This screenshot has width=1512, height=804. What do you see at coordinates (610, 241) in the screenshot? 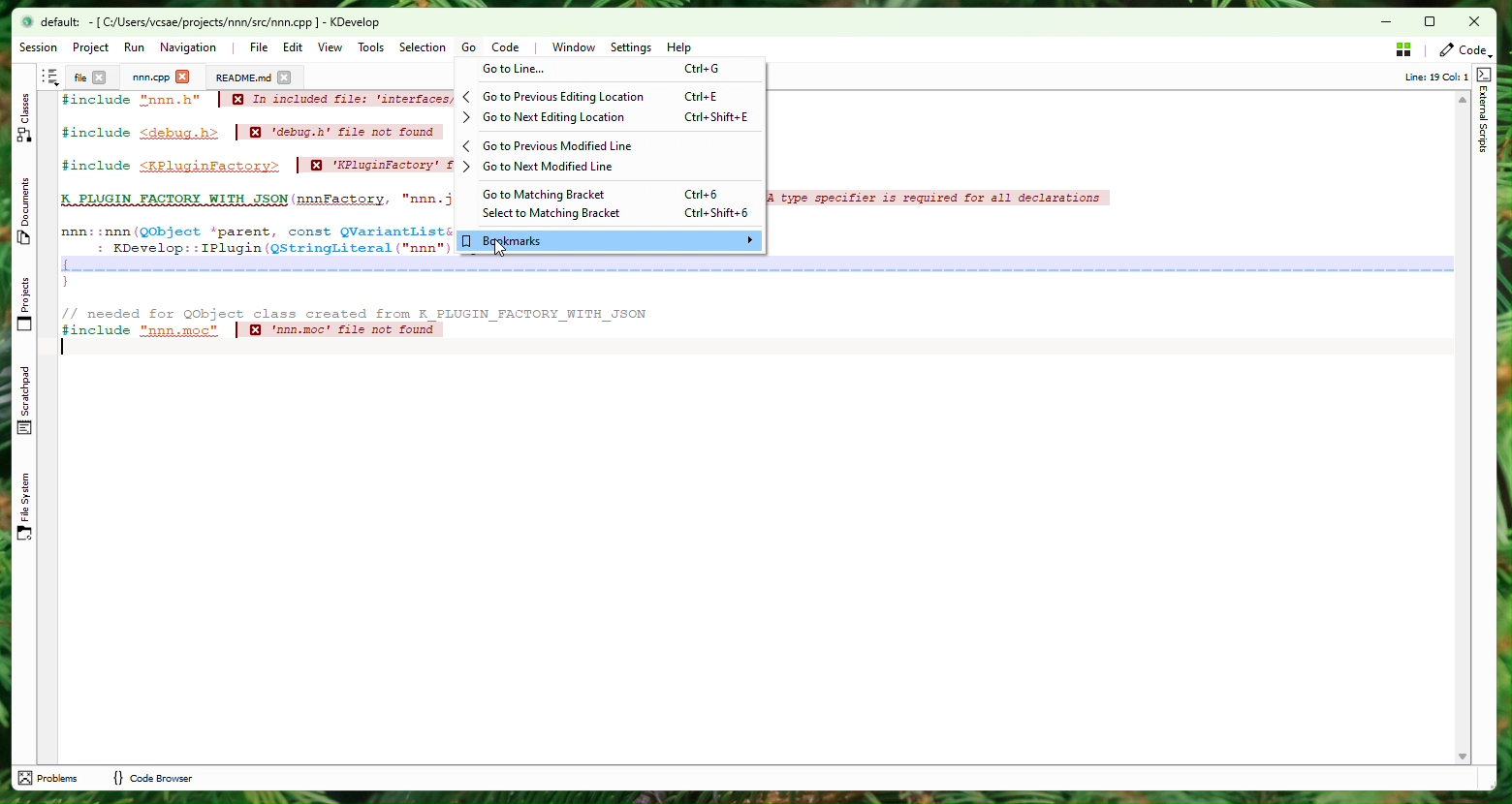
I see `Bookmarks` at bounding box center [610, 241].